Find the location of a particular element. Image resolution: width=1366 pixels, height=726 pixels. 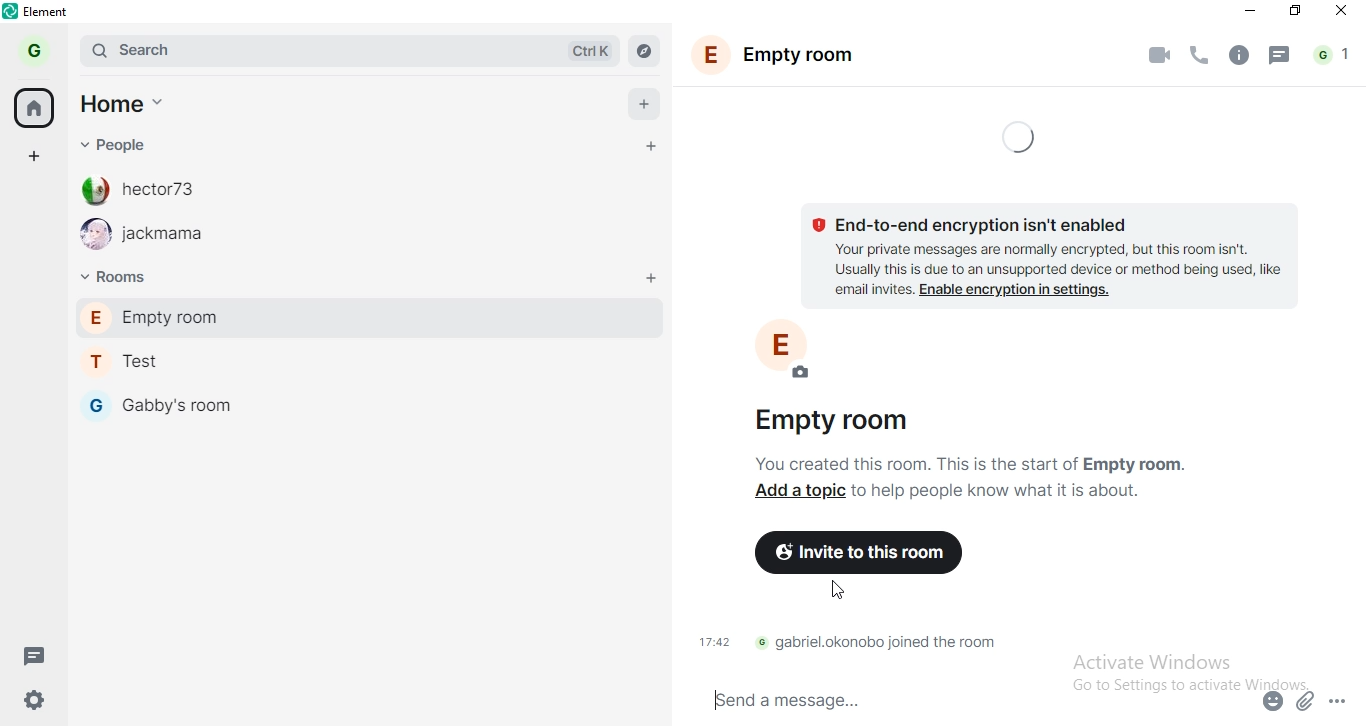

notification is located at coordinates (1333, 53).